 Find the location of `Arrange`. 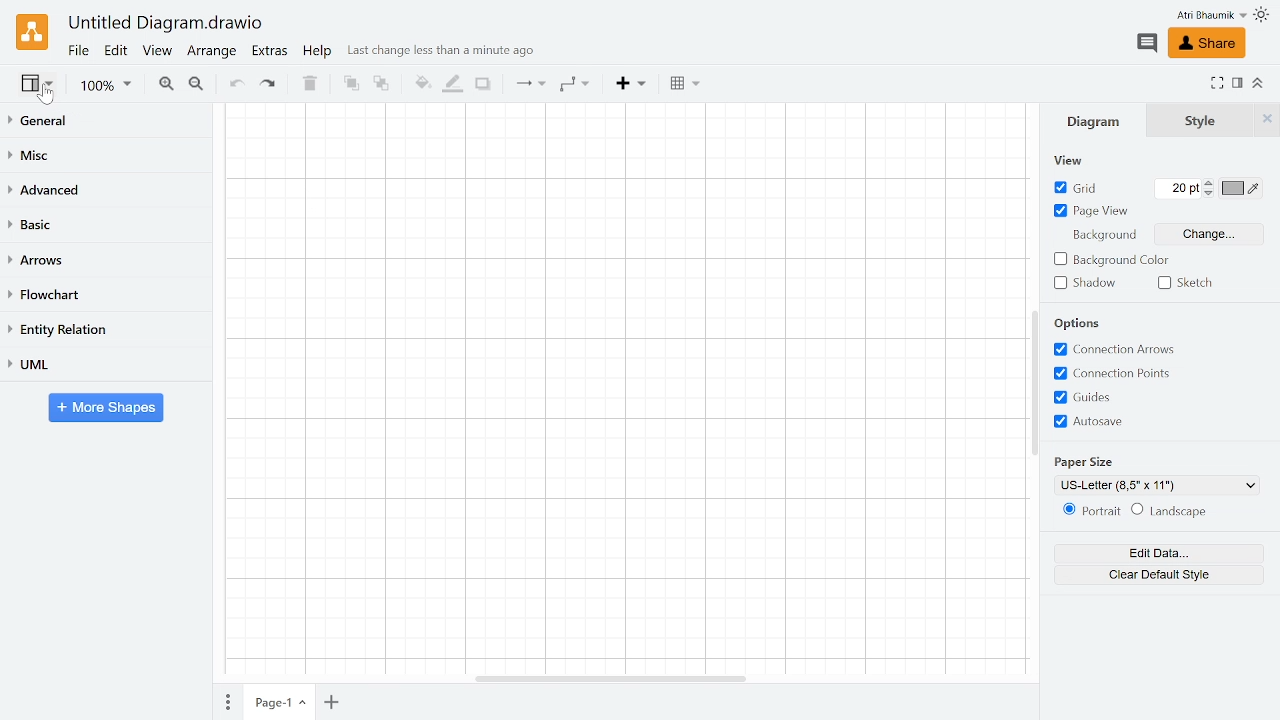

Arrange is located at coordinates (213, 53).